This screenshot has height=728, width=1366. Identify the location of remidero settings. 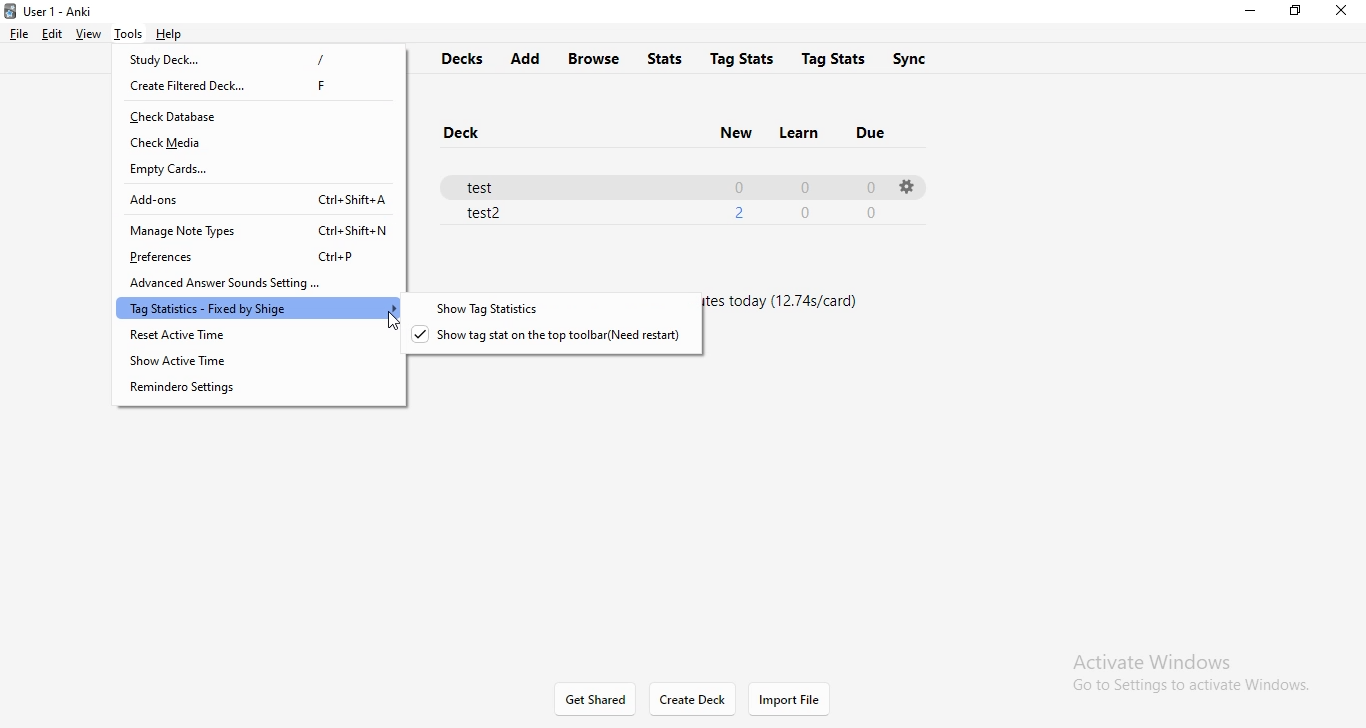
(267, 392).